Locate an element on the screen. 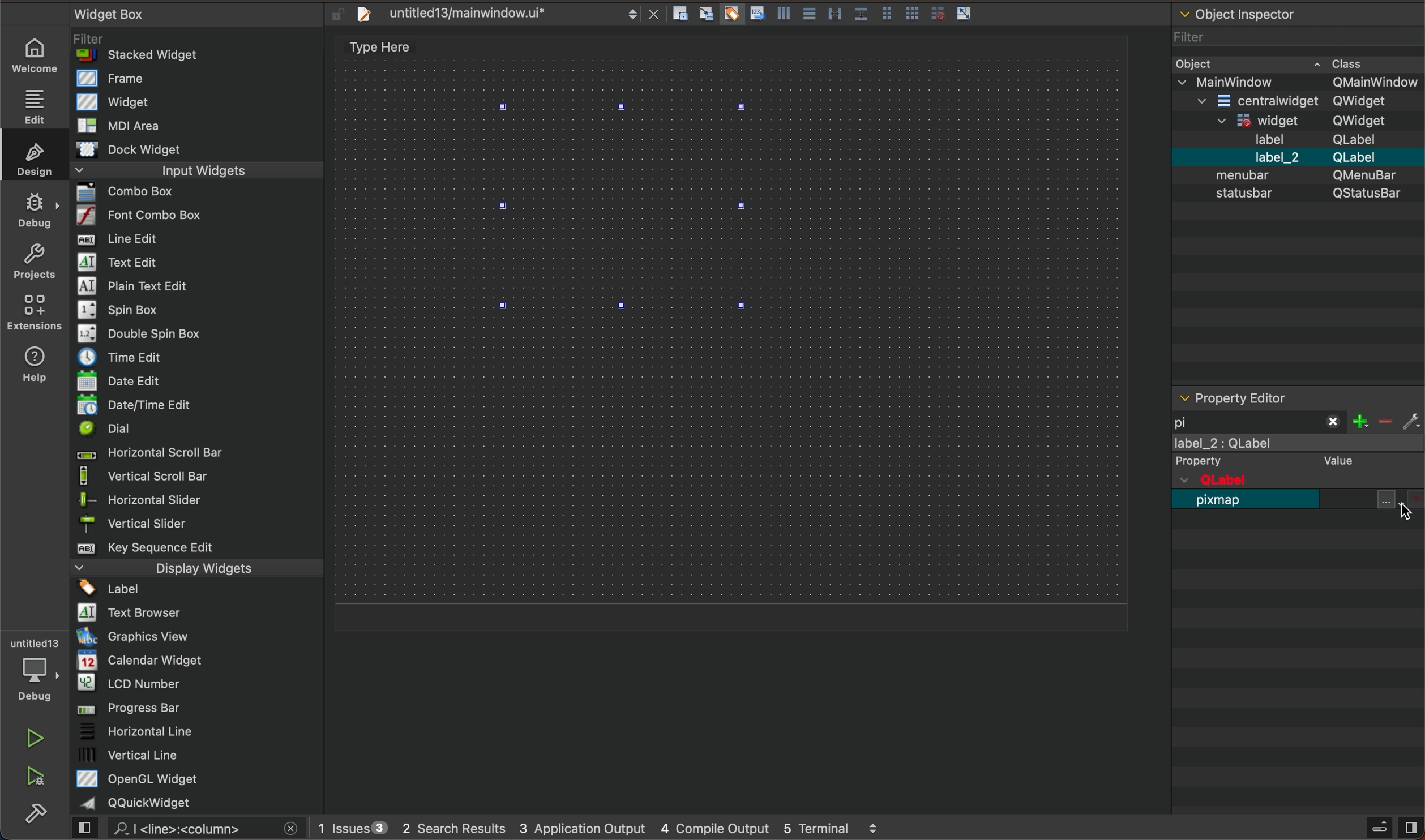  Extension  is located at coordinates (34, 312).